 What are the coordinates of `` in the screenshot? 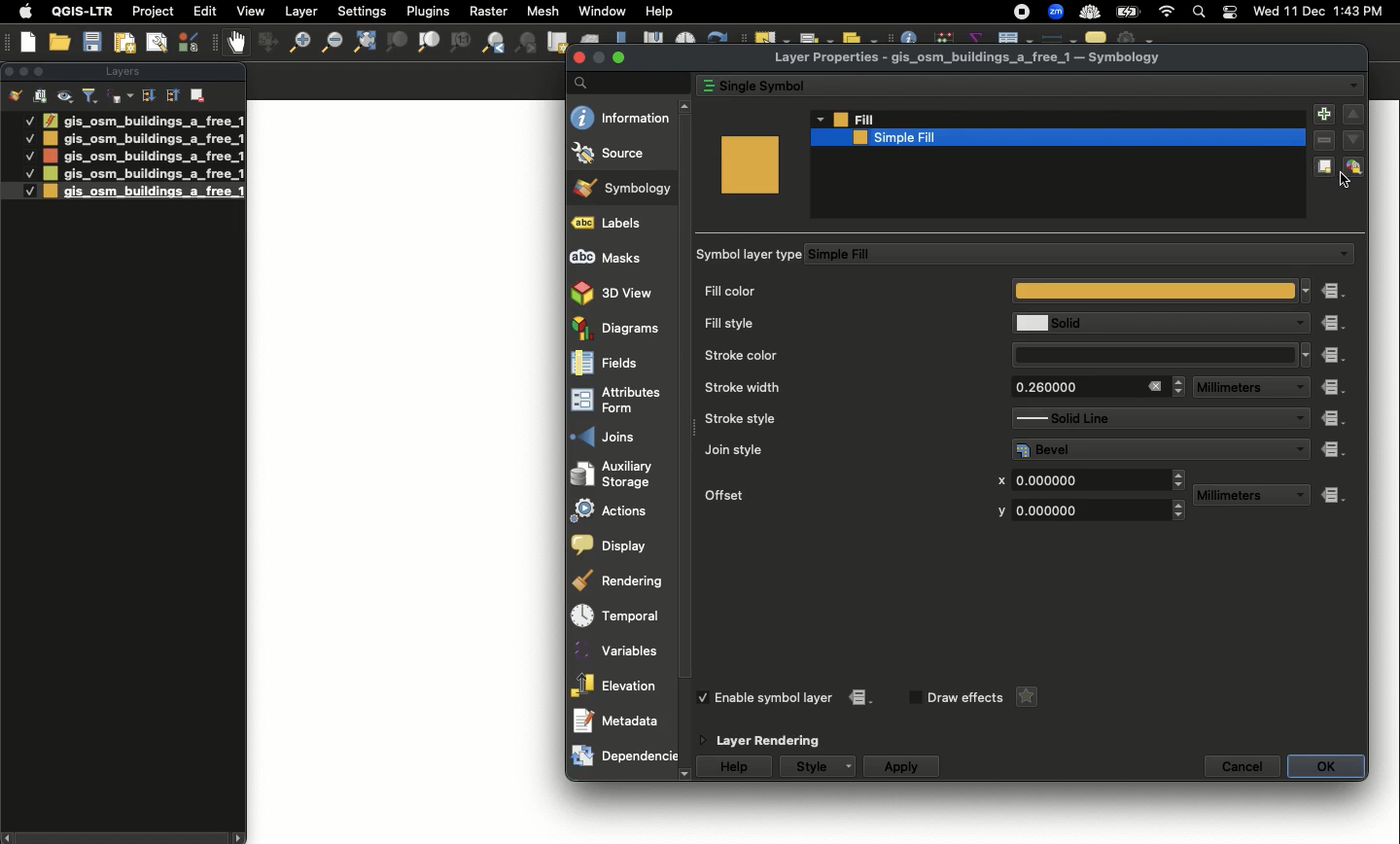 It's located at (1338, 290).